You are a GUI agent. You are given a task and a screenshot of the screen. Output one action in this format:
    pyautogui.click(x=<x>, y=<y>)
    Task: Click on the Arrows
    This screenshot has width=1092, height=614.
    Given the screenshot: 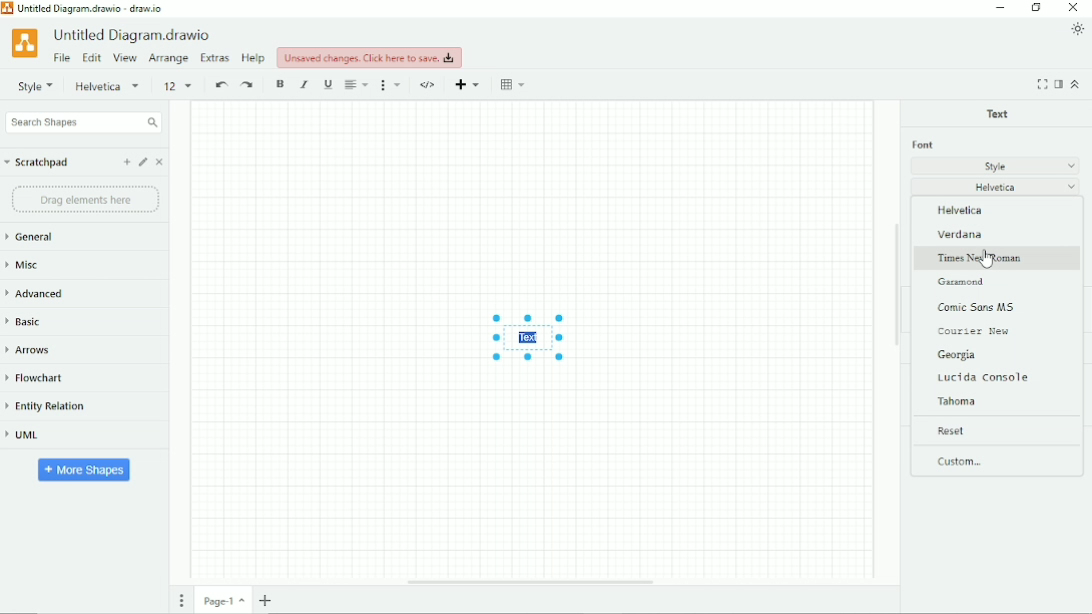 What is the action you would take?
    pyautogui.click(x=38, y=350)
    